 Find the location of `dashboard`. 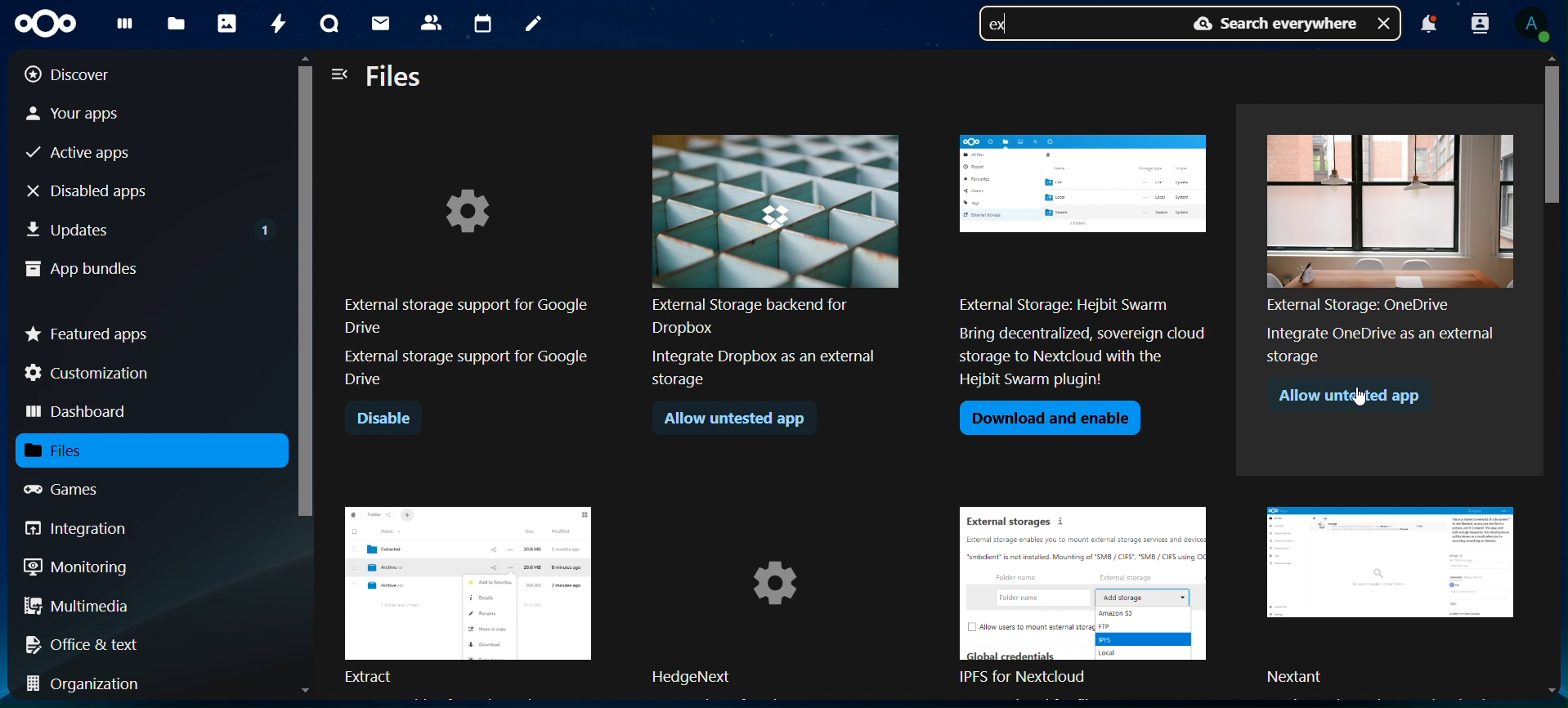

dashboard is located at coordinates (124, 27).